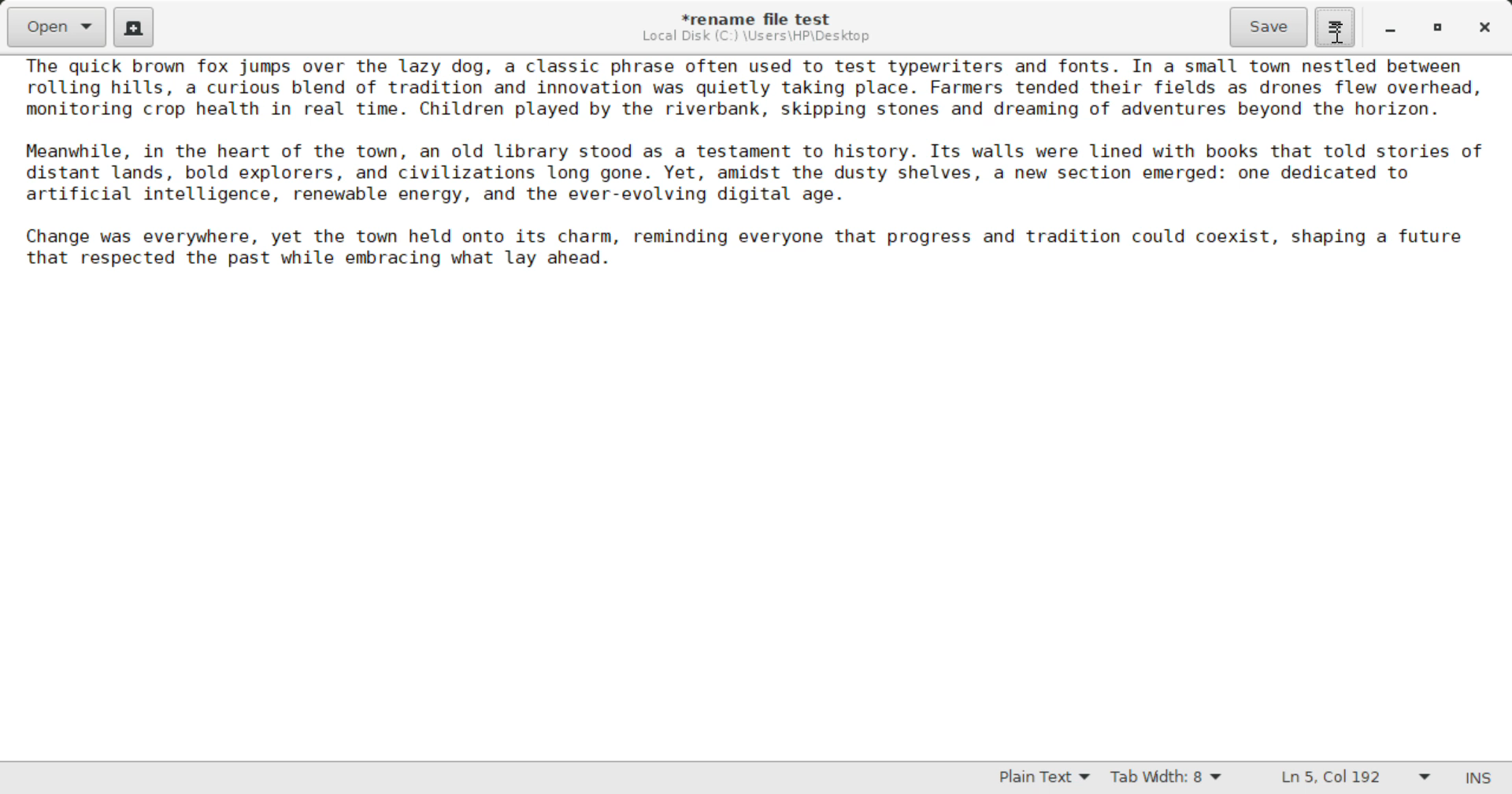  I want to click on Save, so click(1270, 28).